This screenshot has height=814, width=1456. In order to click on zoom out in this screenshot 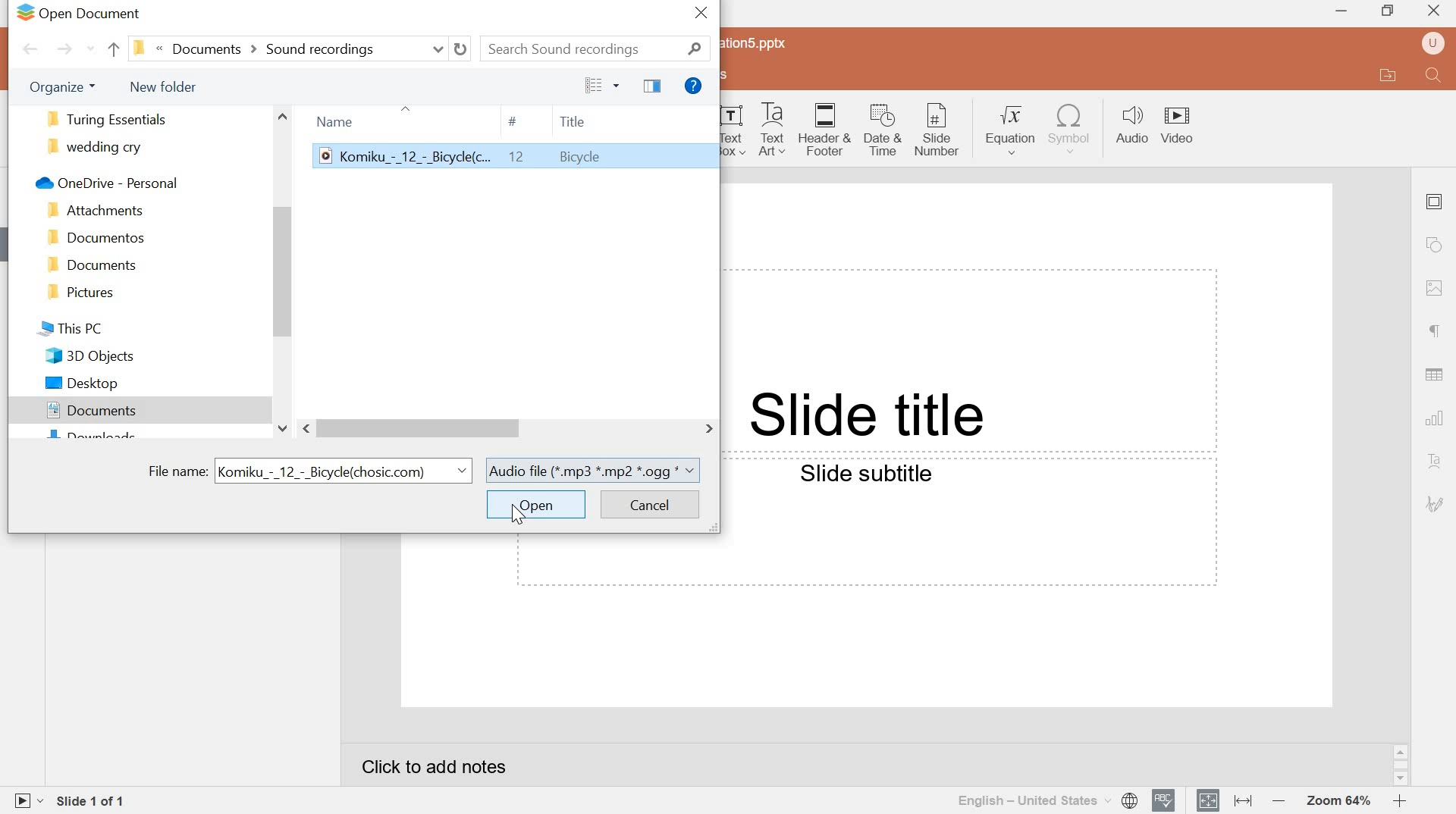, I will do `click(1276, 800)`.